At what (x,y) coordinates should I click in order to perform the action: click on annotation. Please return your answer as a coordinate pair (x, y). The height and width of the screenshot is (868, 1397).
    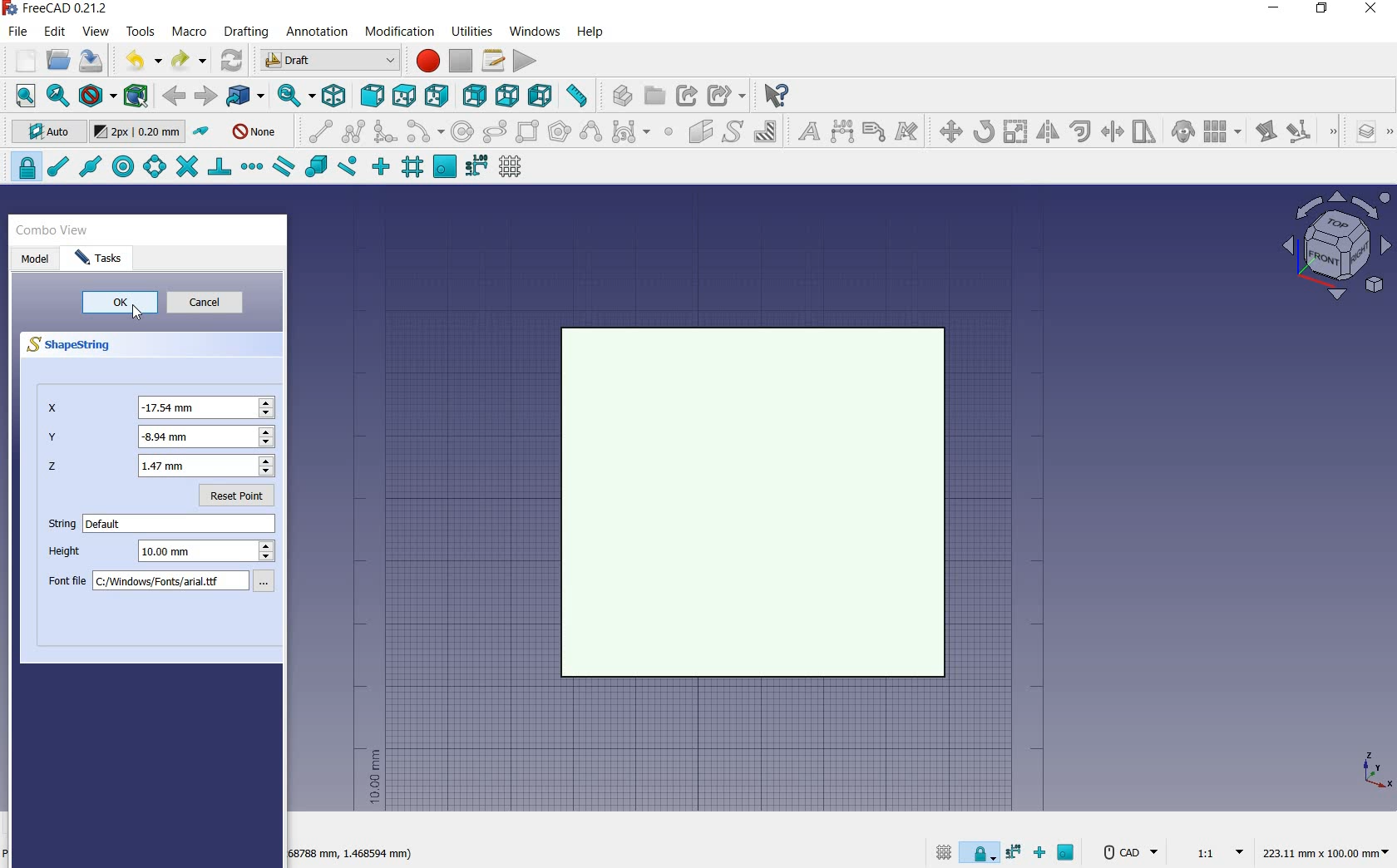
    Looking at the image, I should click on (318, 33).